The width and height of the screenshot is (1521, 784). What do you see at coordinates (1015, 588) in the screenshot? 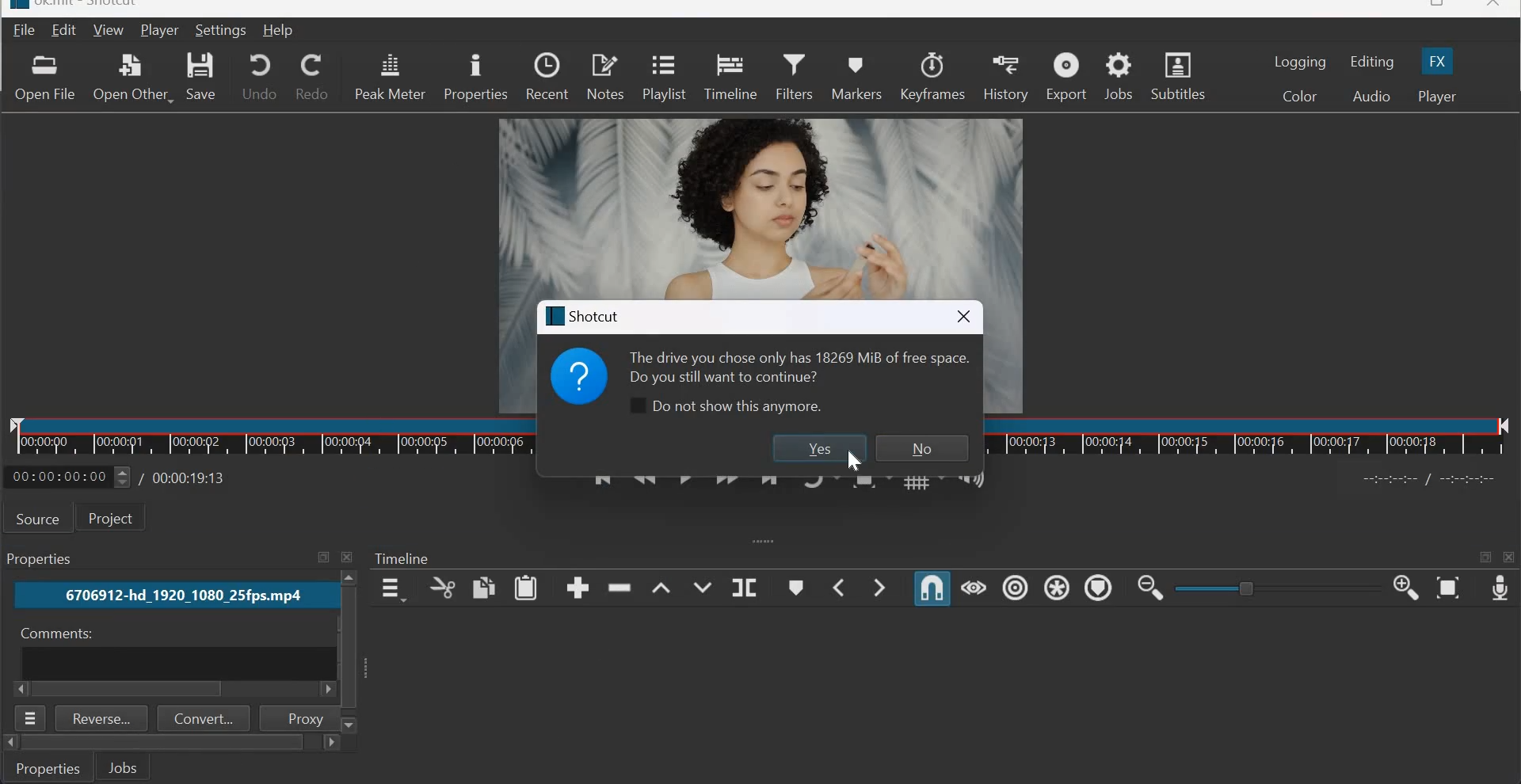
I see `Ripple` at bounding box center [1015, 588].